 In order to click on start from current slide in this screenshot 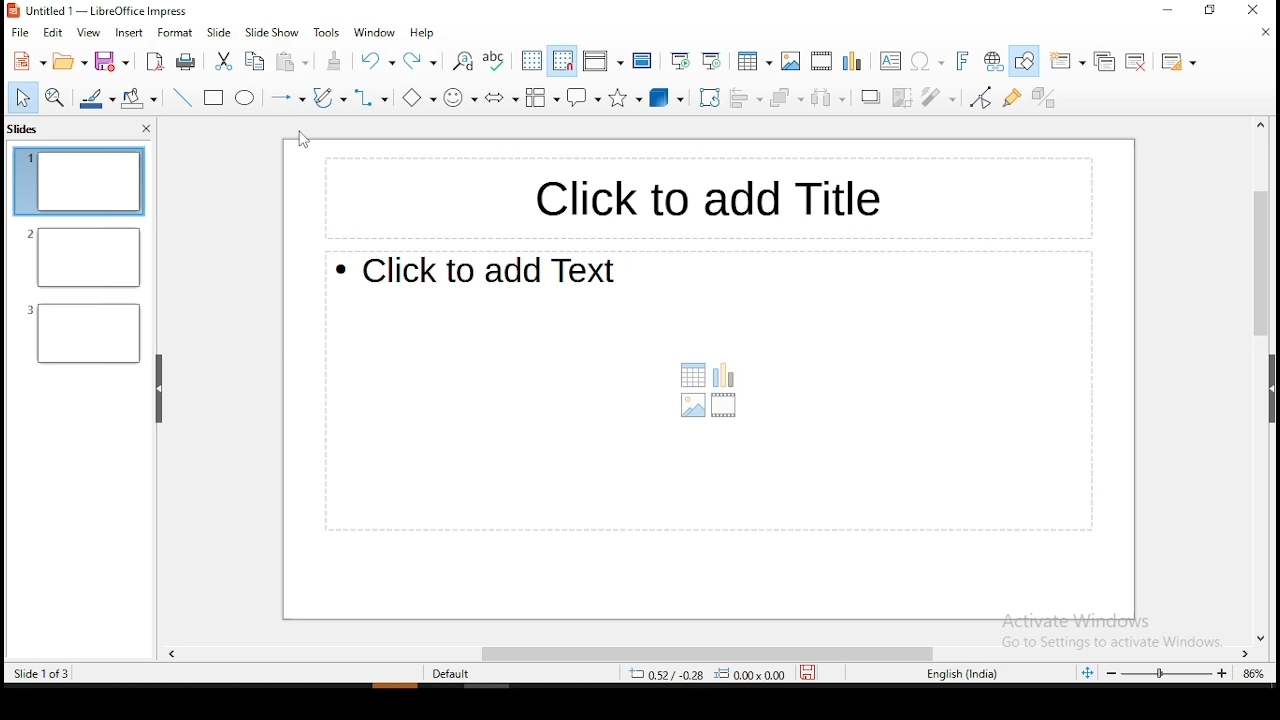, I will do `click(714, 62)`.